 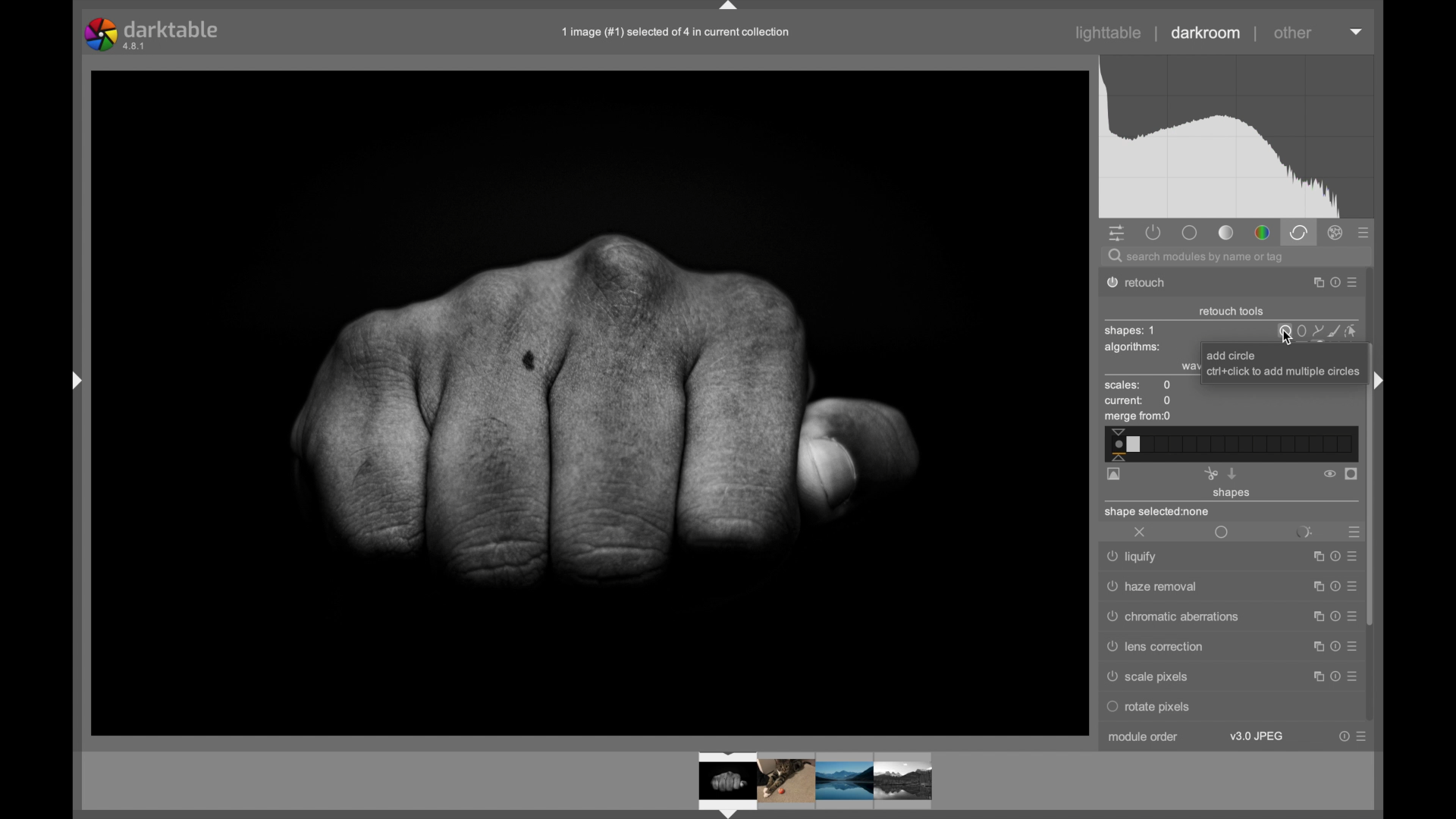 What do you see at coordinates (1232, 494) in the screenshot?
I see `shapes` at bounding box center [1232, 494].